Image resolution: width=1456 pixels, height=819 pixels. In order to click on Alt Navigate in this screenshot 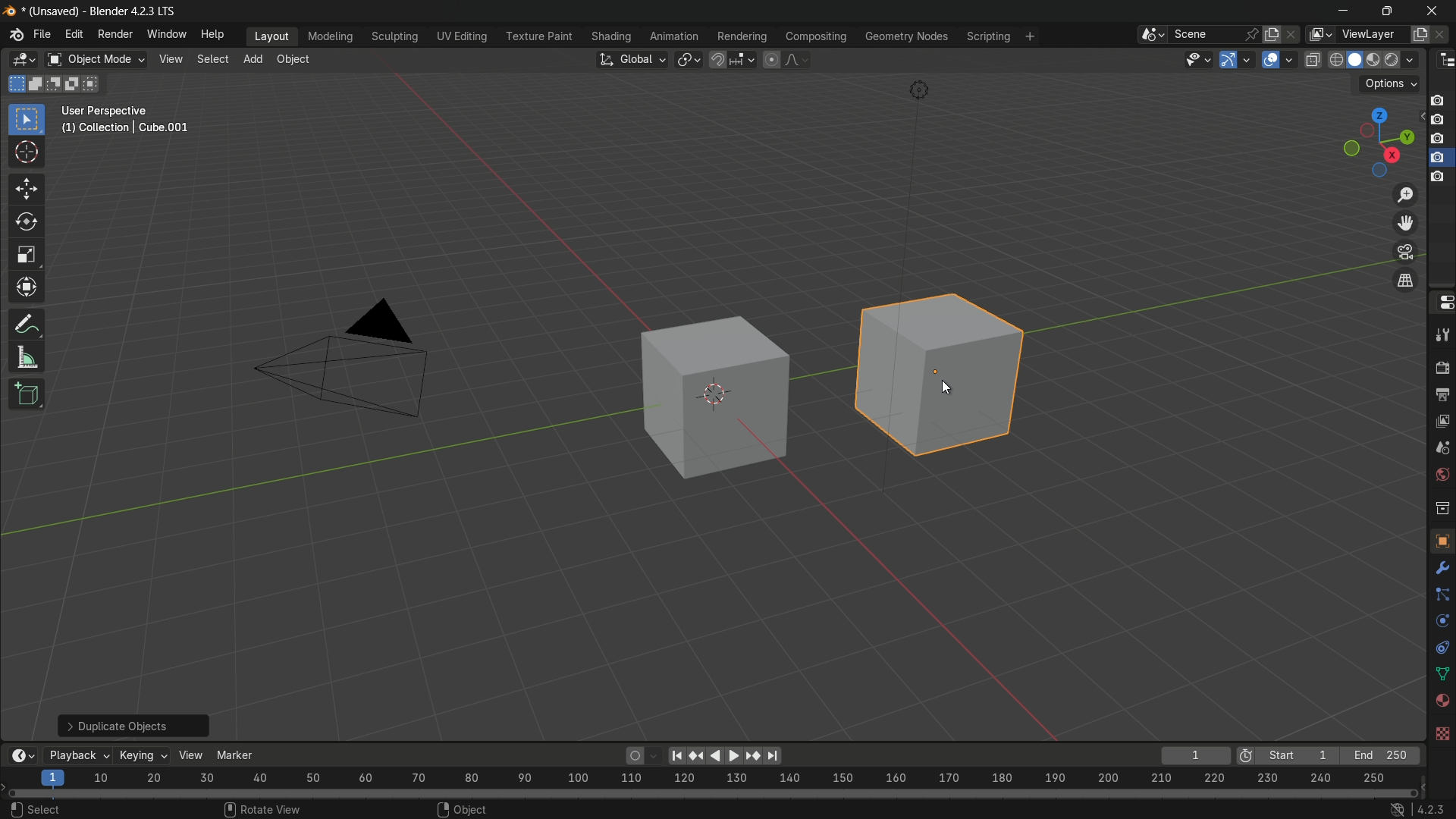, I will do `click(1219, 810)`.